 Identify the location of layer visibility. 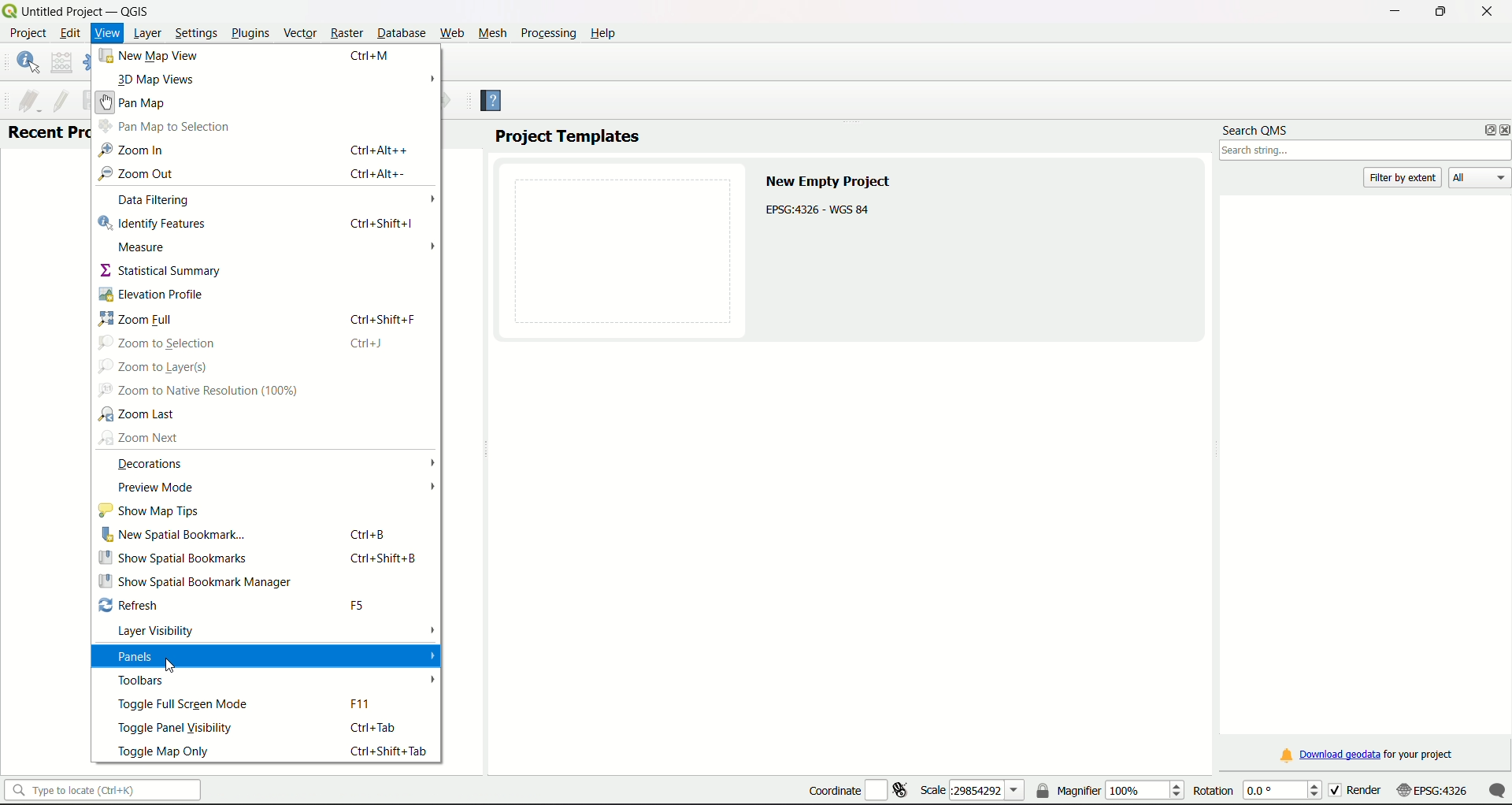
(161, 632).